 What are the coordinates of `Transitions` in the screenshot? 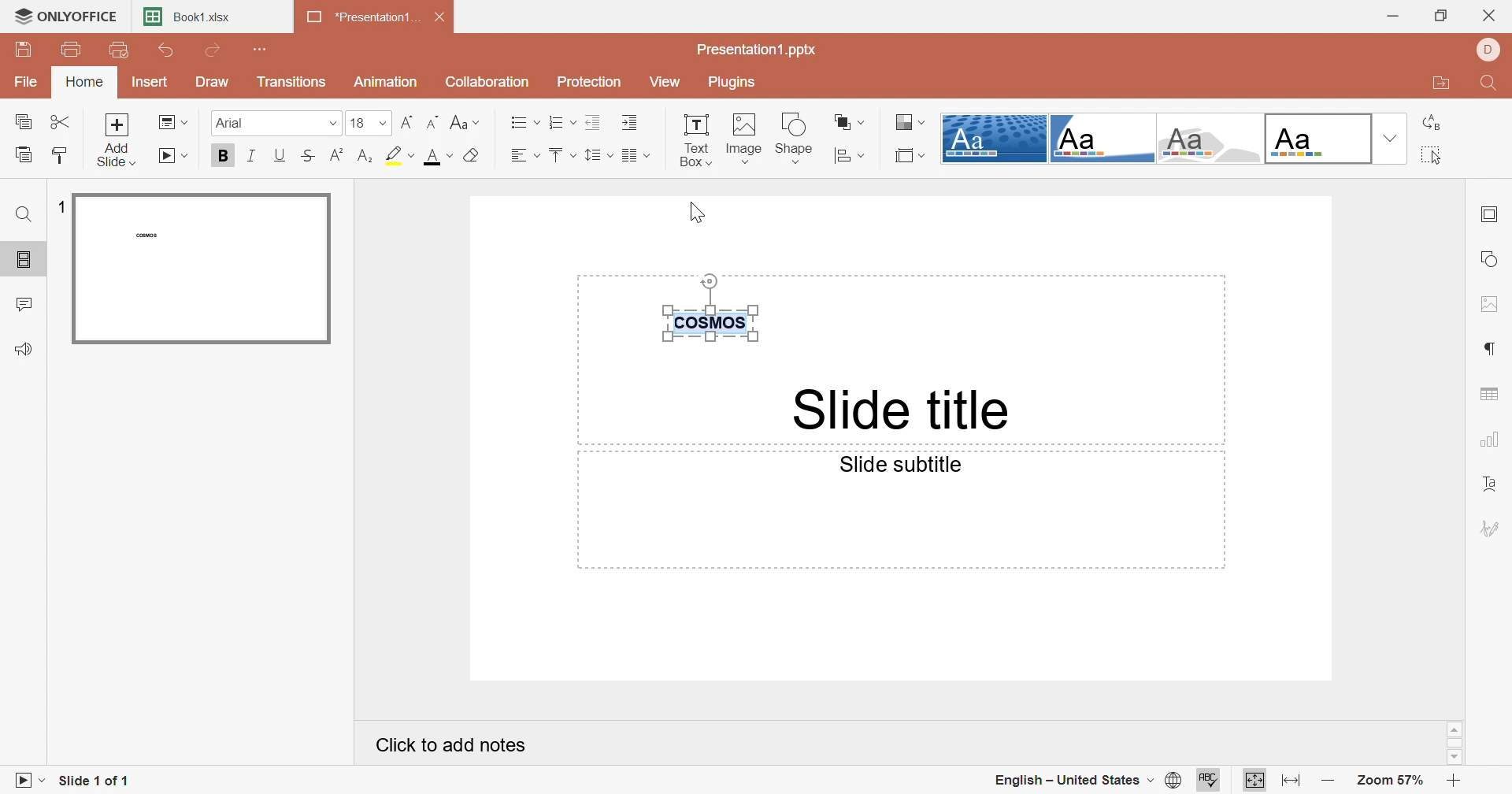 It's located at (291, 83).